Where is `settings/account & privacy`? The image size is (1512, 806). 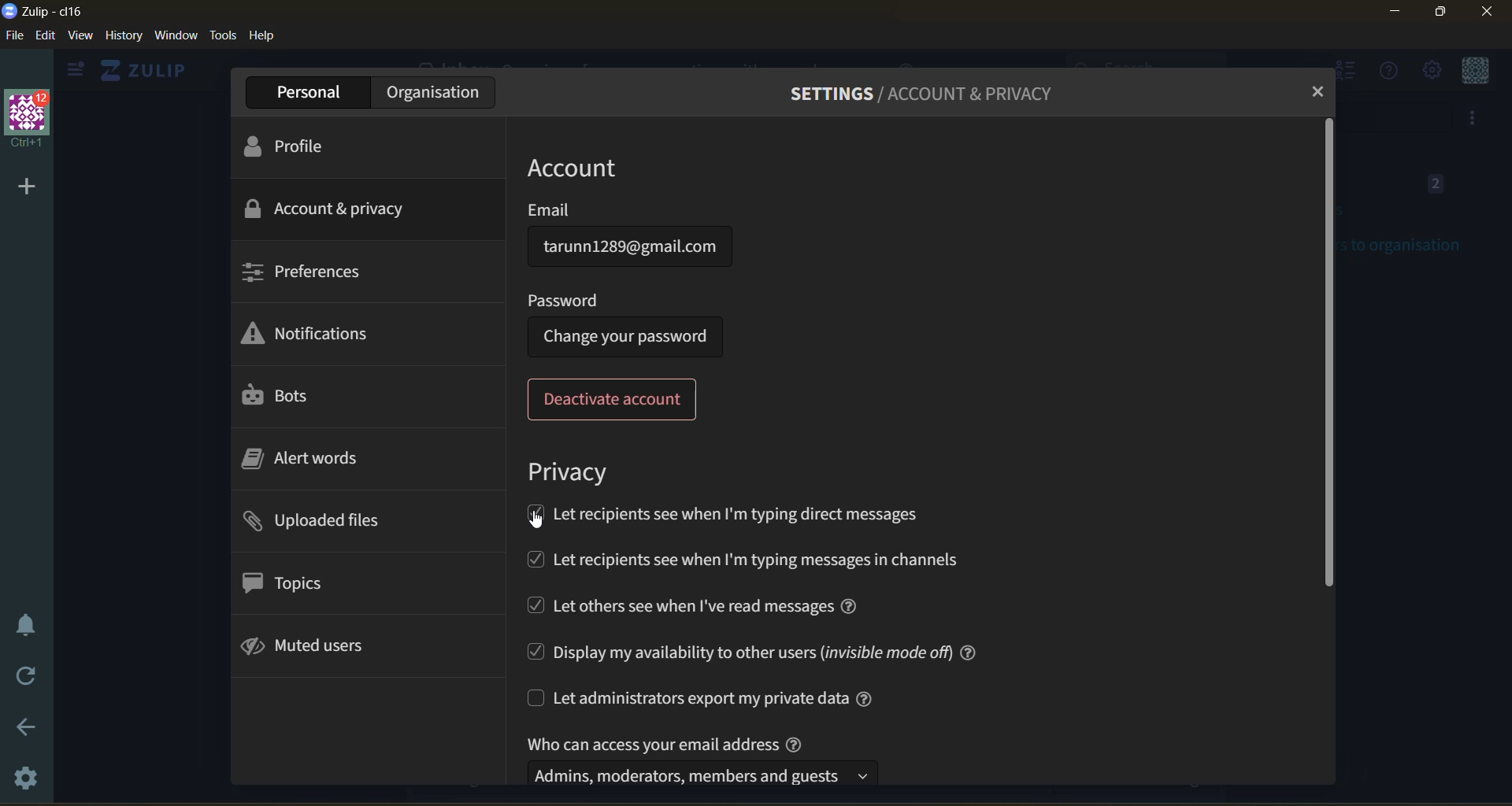
settings/account & privacy is located at coordinates (936, 93).